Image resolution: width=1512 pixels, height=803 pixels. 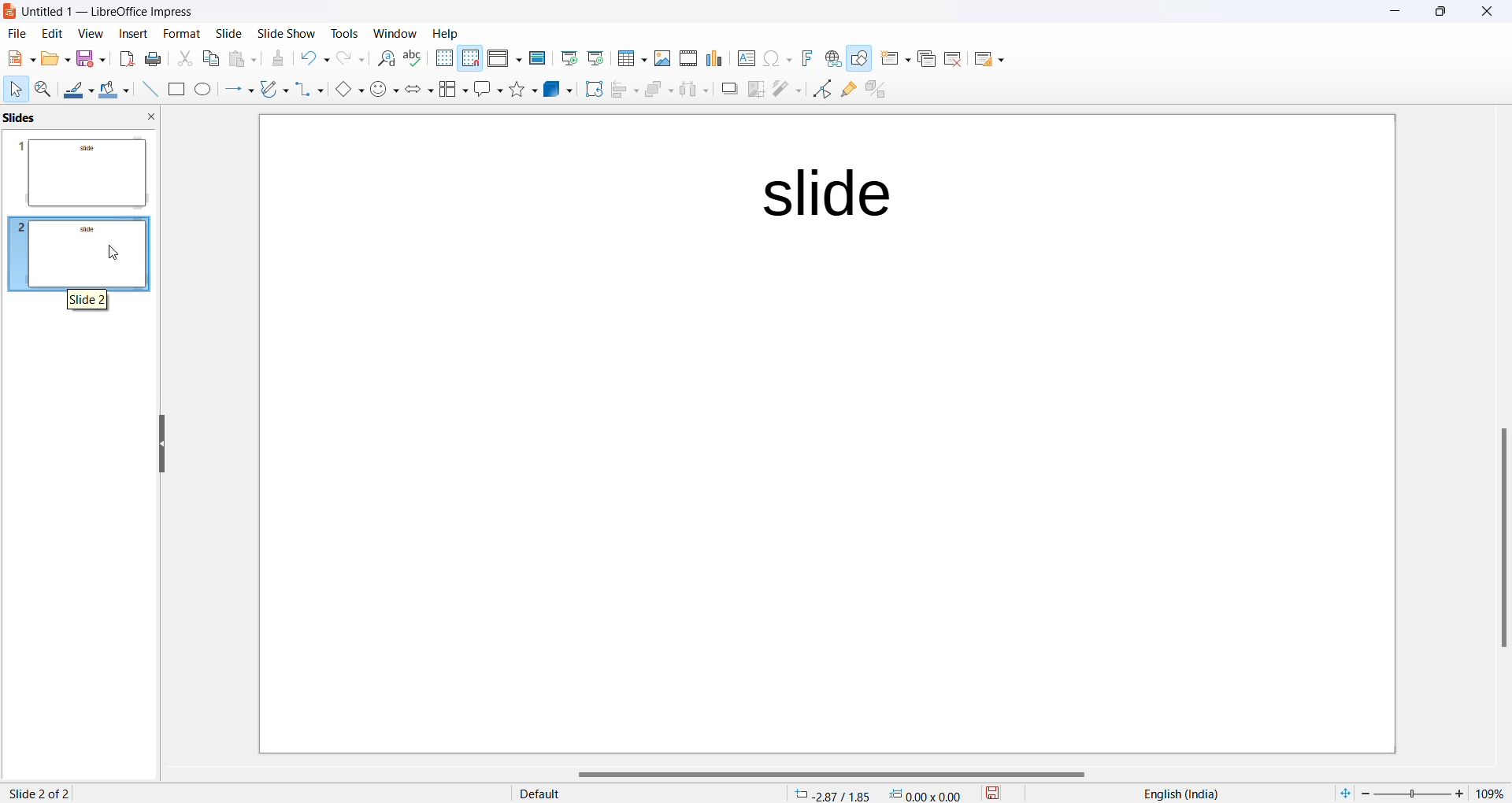 I want to click on zoom percentage, so click(x=1493, y=792).